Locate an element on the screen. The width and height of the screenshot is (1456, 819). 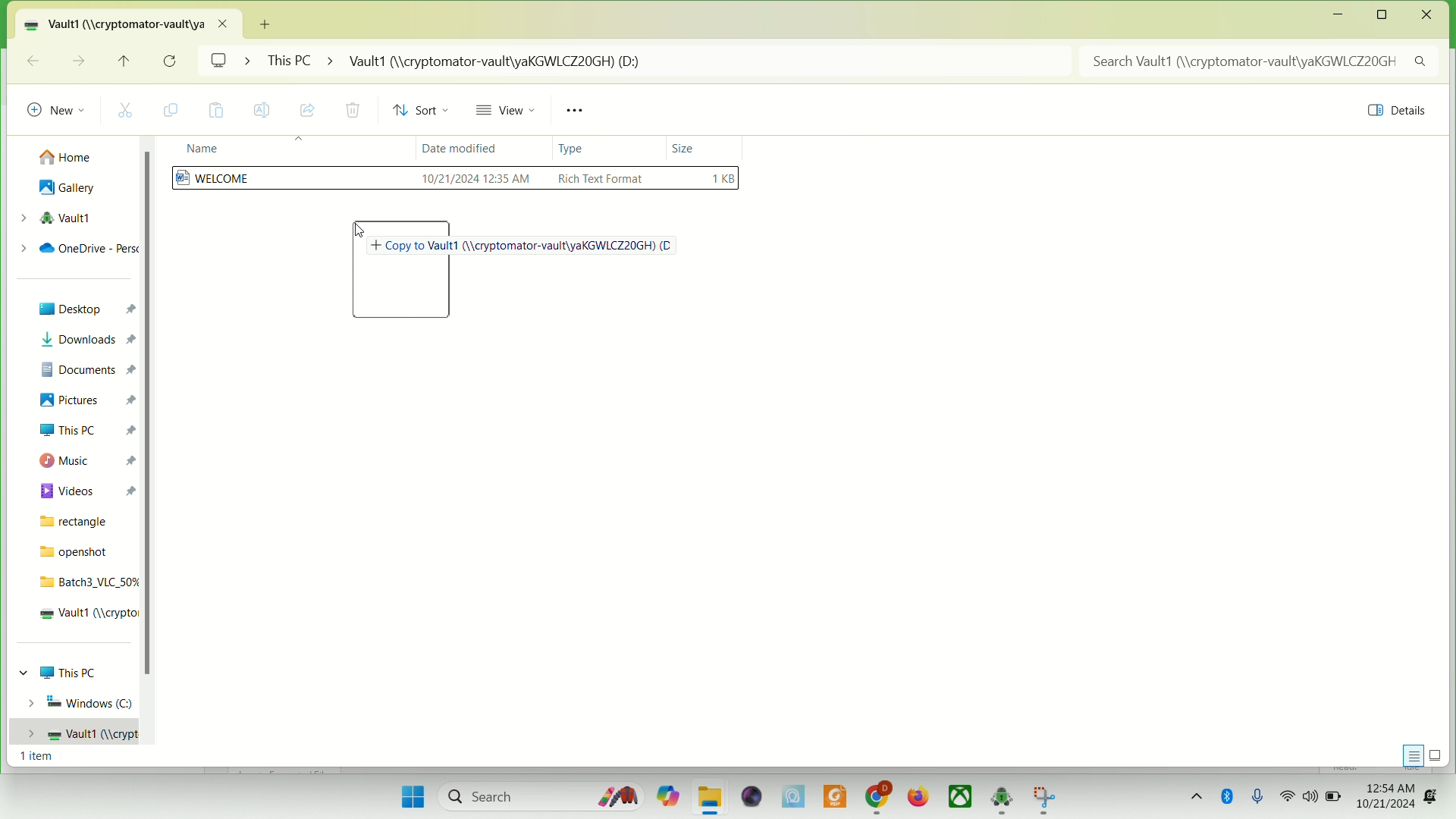
Xbox is located at coordinates (961, 797).